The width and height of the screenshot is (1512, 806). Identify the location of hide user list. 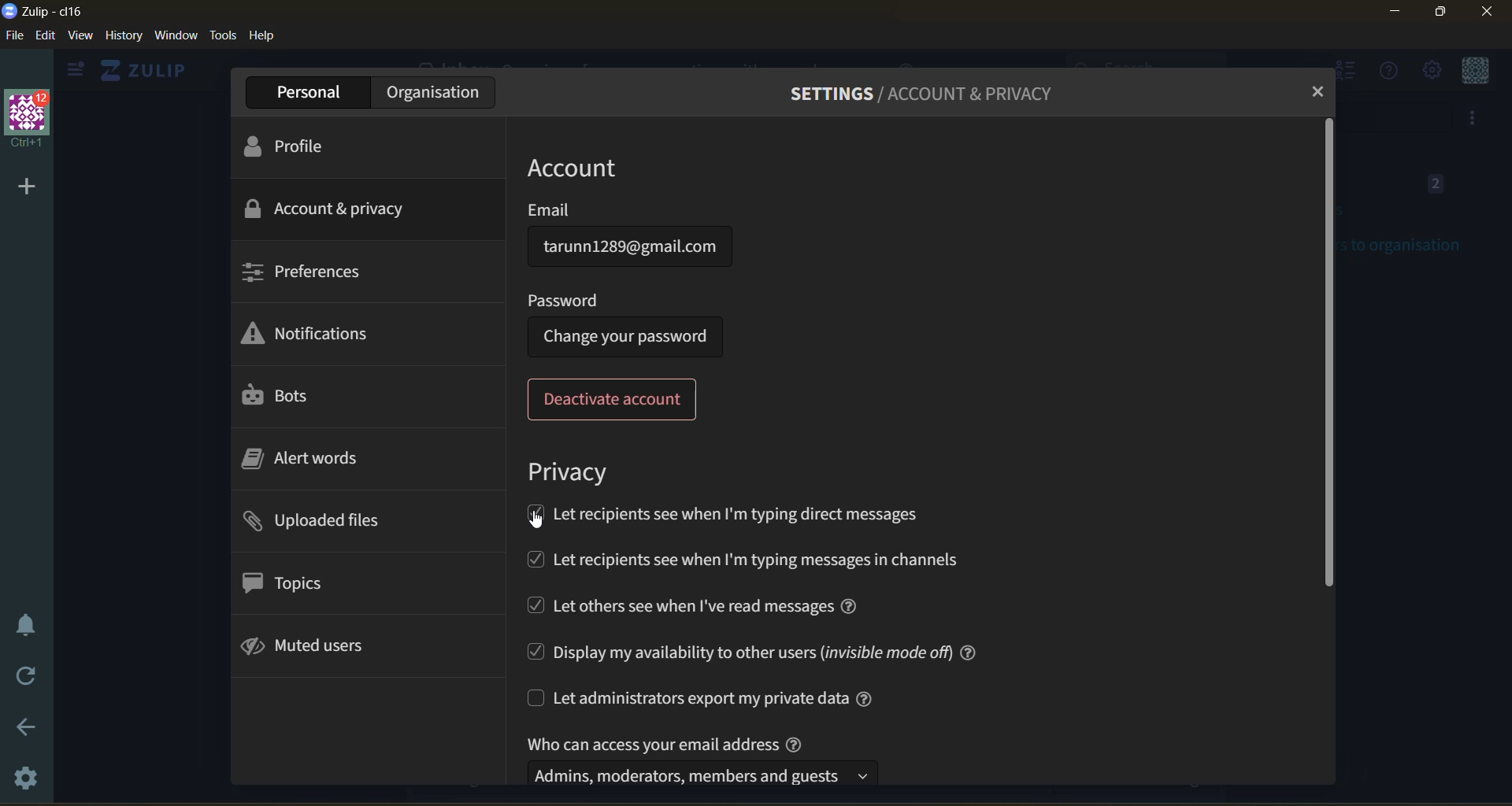
(1349, 73).